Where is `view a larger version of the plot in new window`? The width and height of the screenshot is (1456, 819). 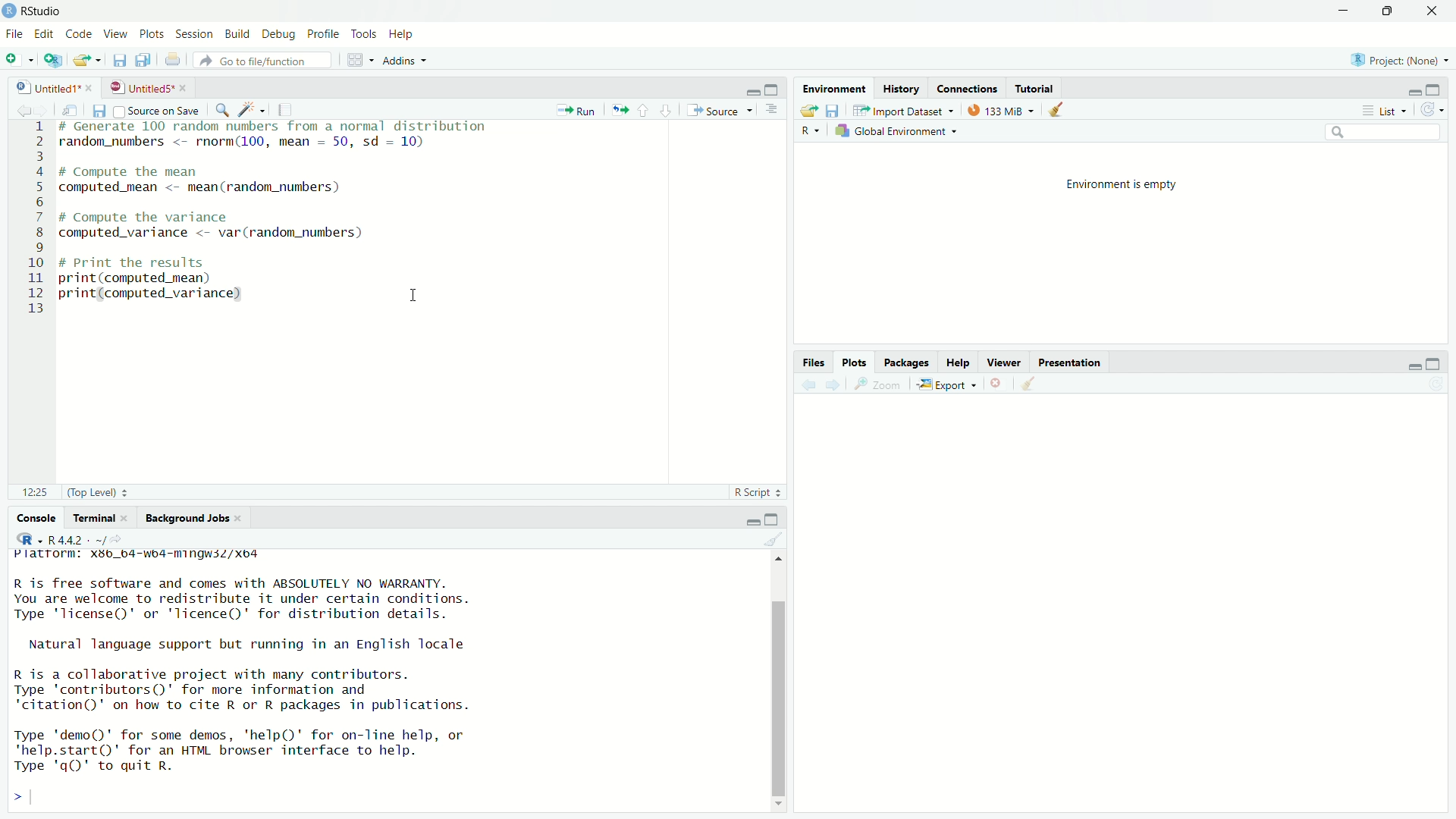
view a larger version of the plot in new window is located at coordinates (881, 387).